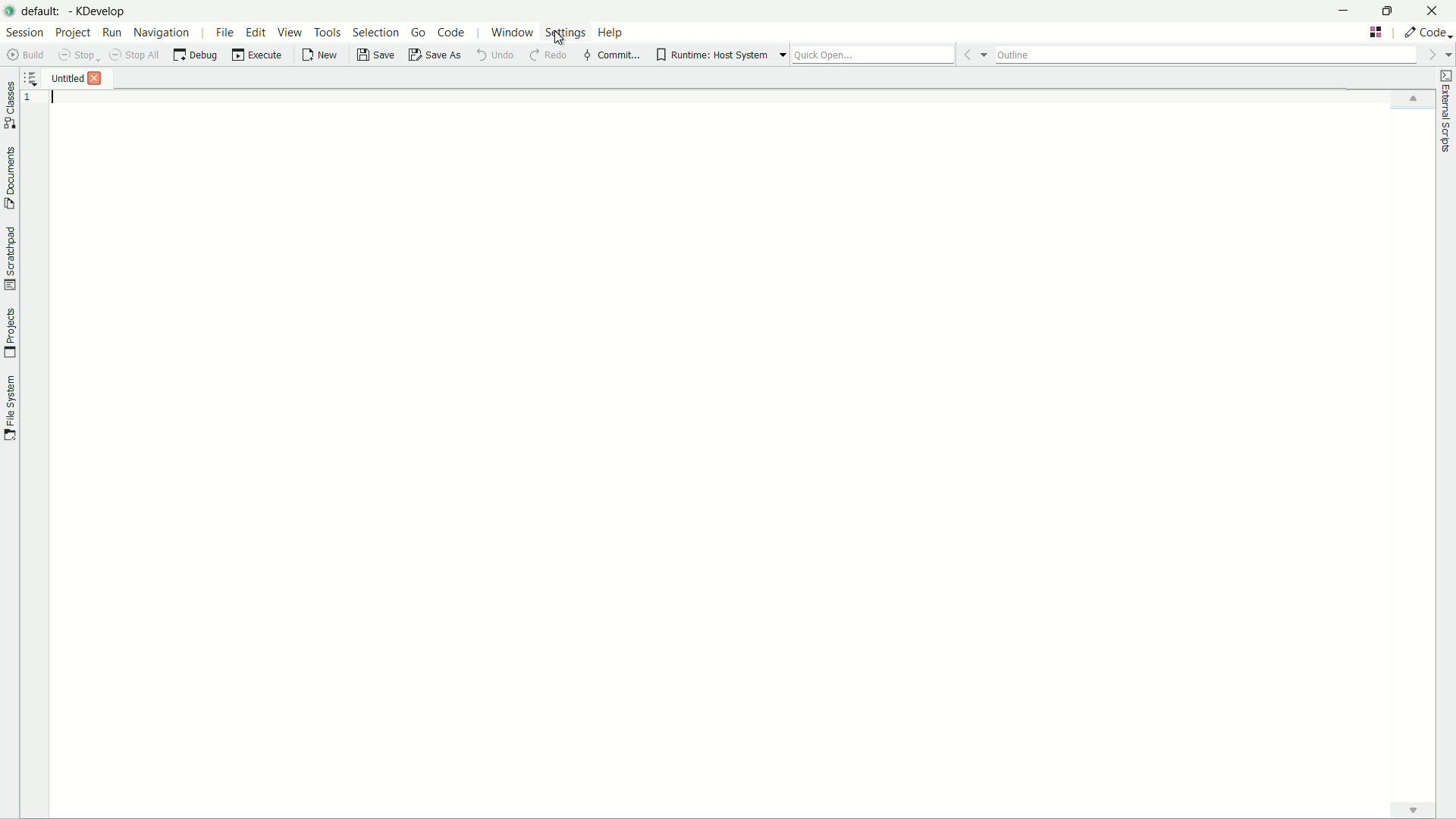 The image size is (1456, 819). What do you see at coordinates (435, 55) in the screenshot?
I see `save as` at bounding box center [435, 55].